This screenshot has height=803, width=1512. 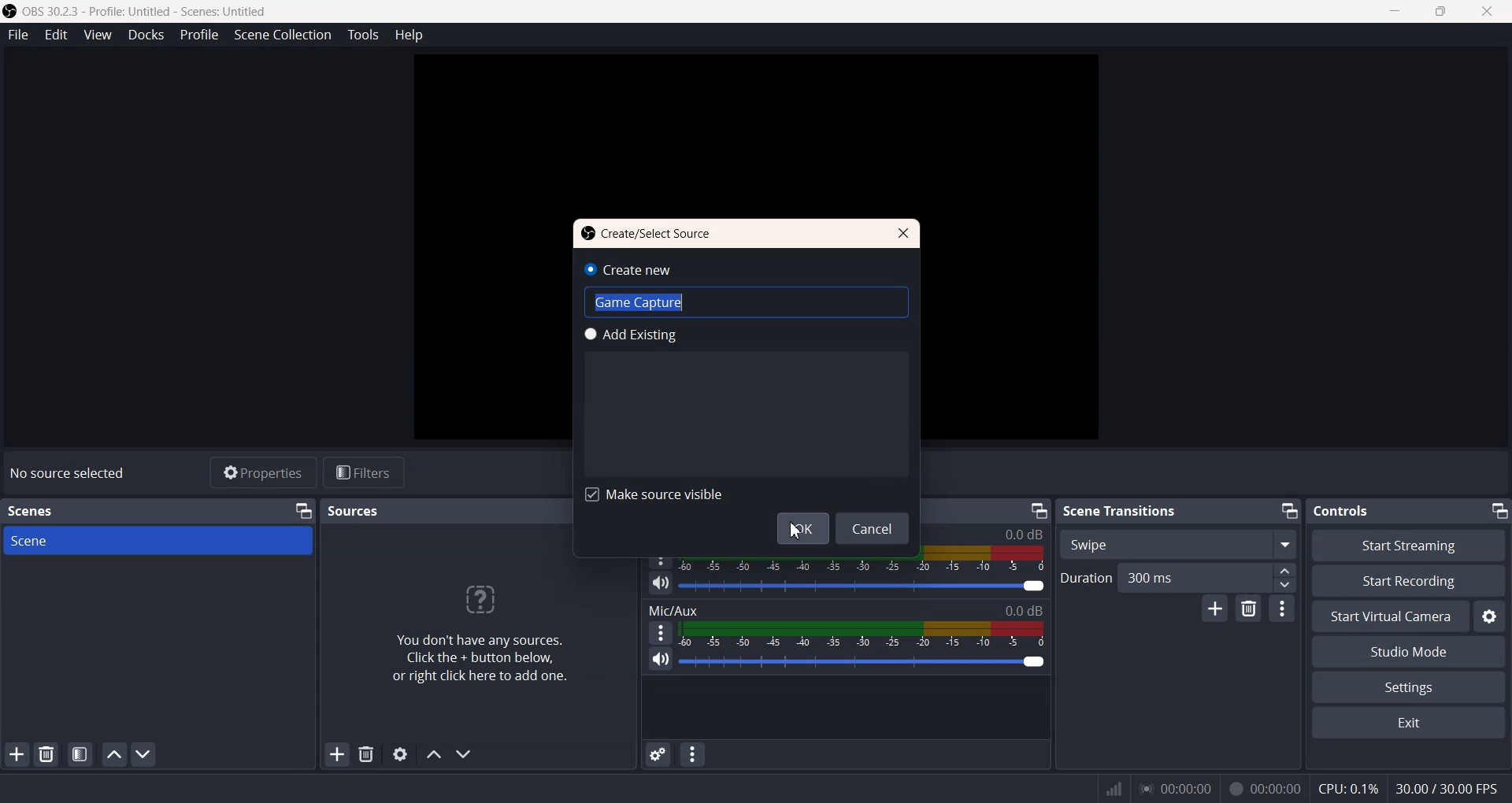 I want to click on Help, so click(x=409, y=35).